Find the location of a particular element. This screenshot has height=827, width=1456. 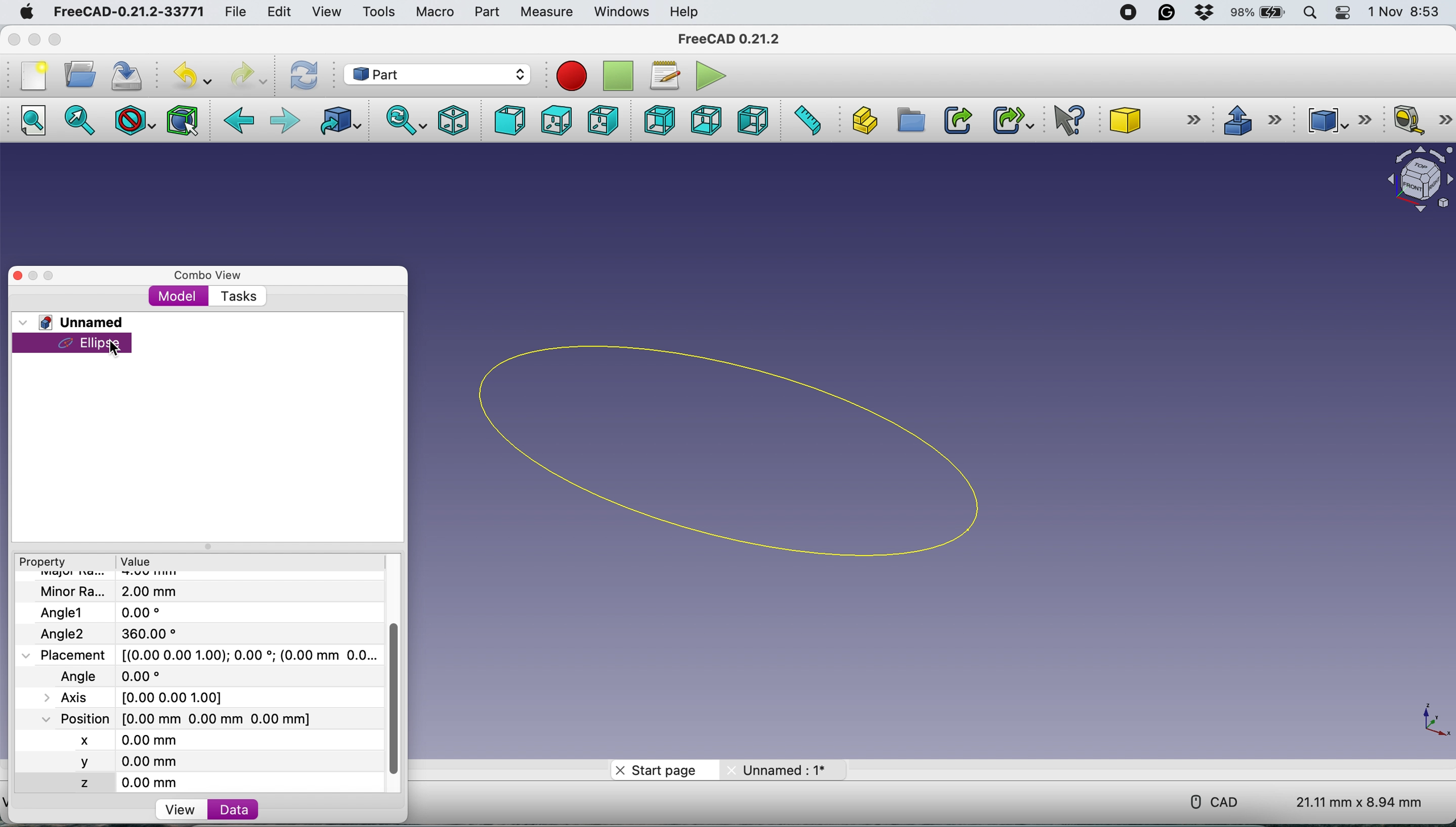

open is located at coordinates (80, 74).